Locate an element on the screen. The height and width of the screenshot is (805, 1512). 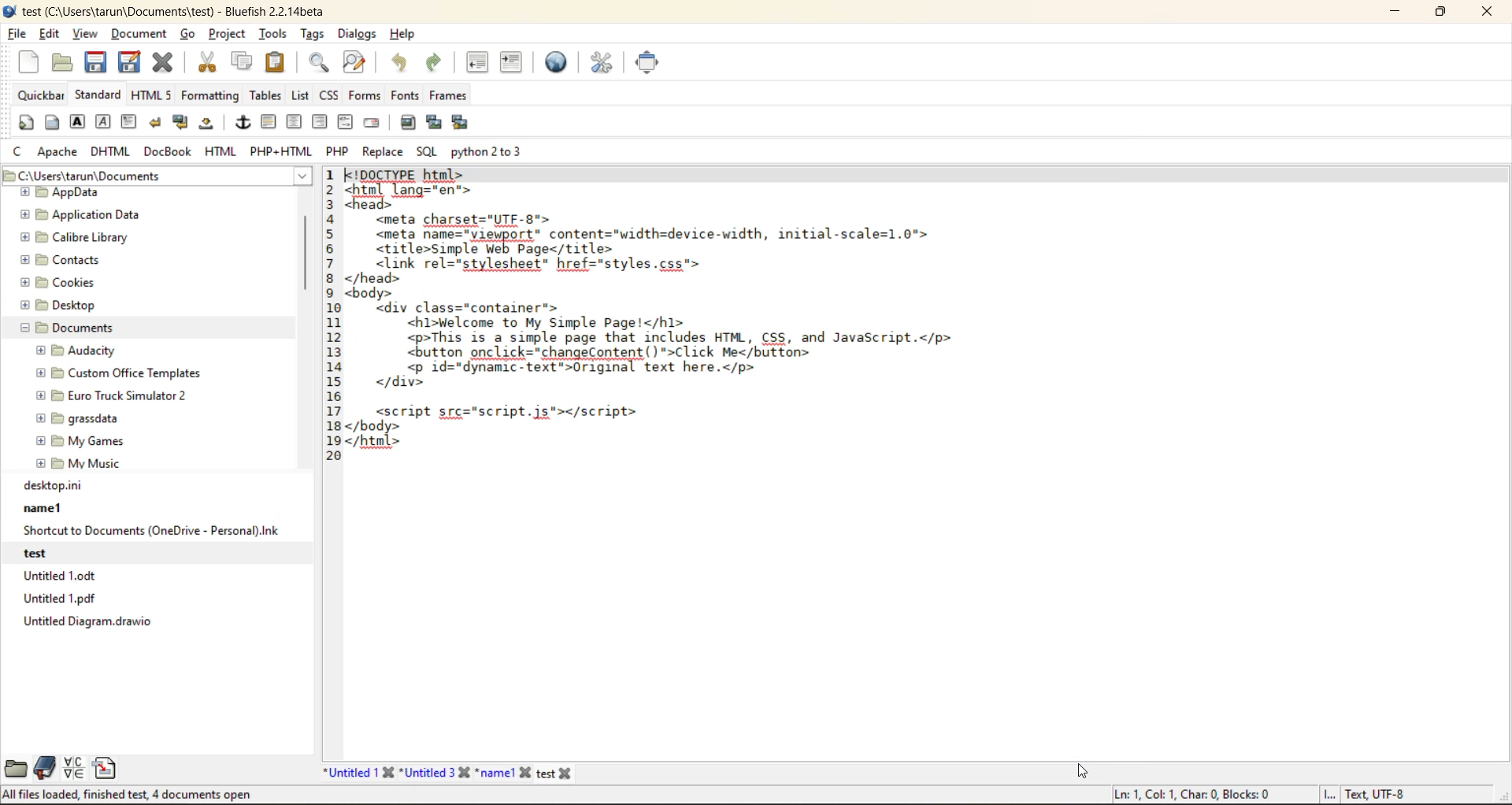
formatting is located at coordinates (211, 95).